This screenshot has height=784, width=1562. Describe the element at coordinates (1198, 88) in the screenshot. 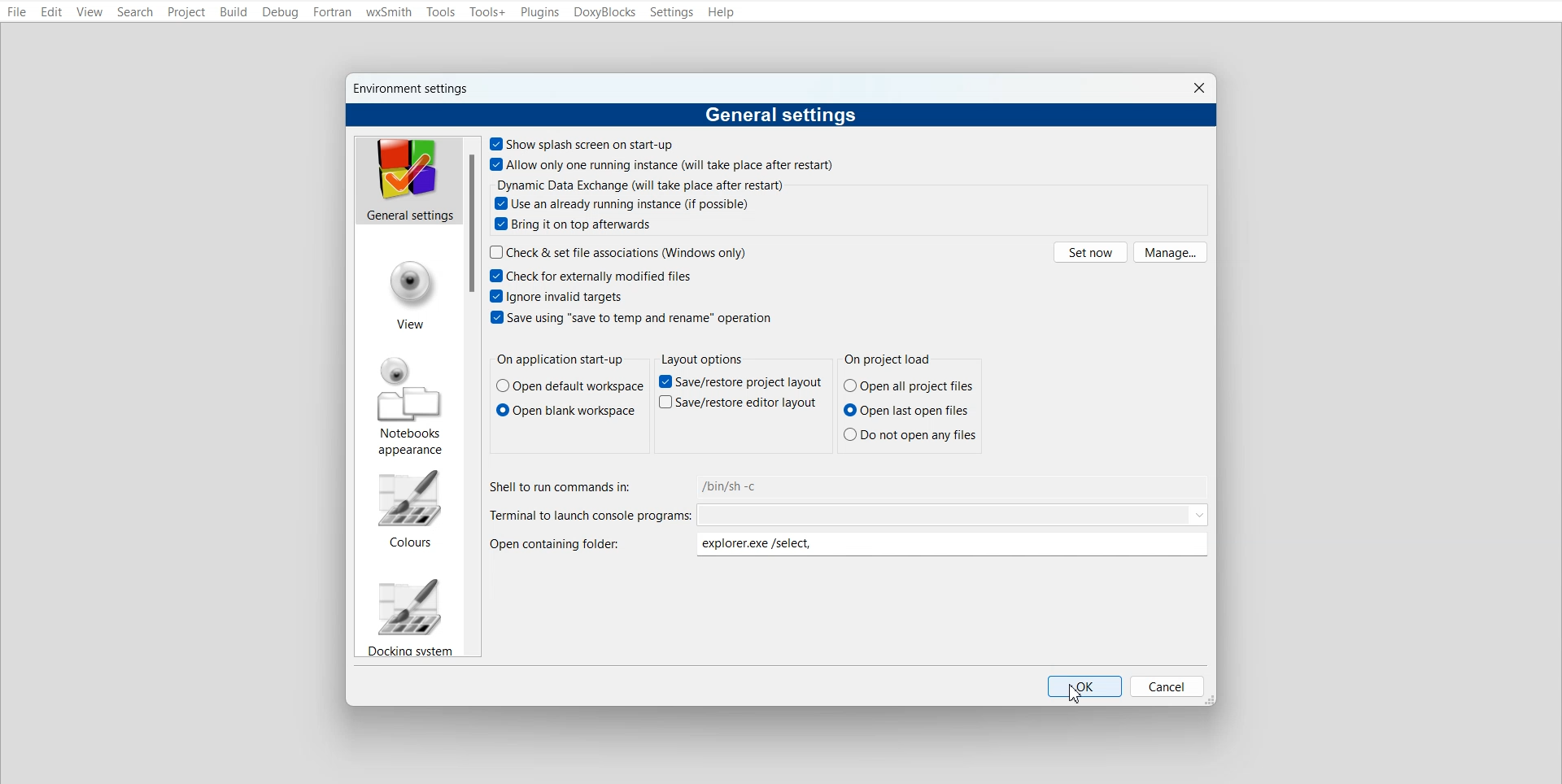

I see `Close` at that location.